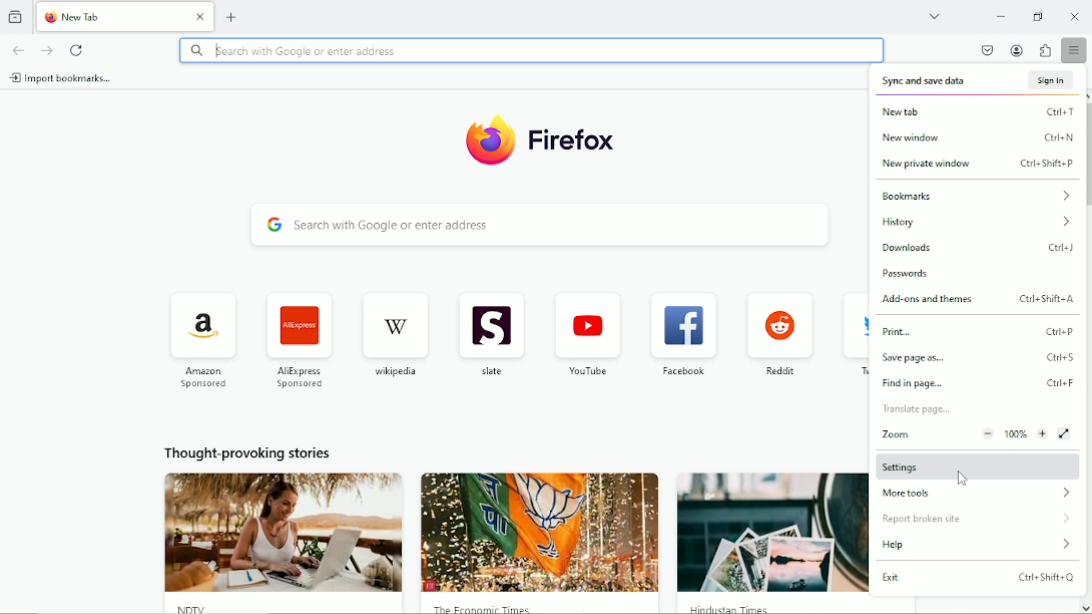 This screenshot has height=614, width=1092. I want to click on slate, so click(489, 375).